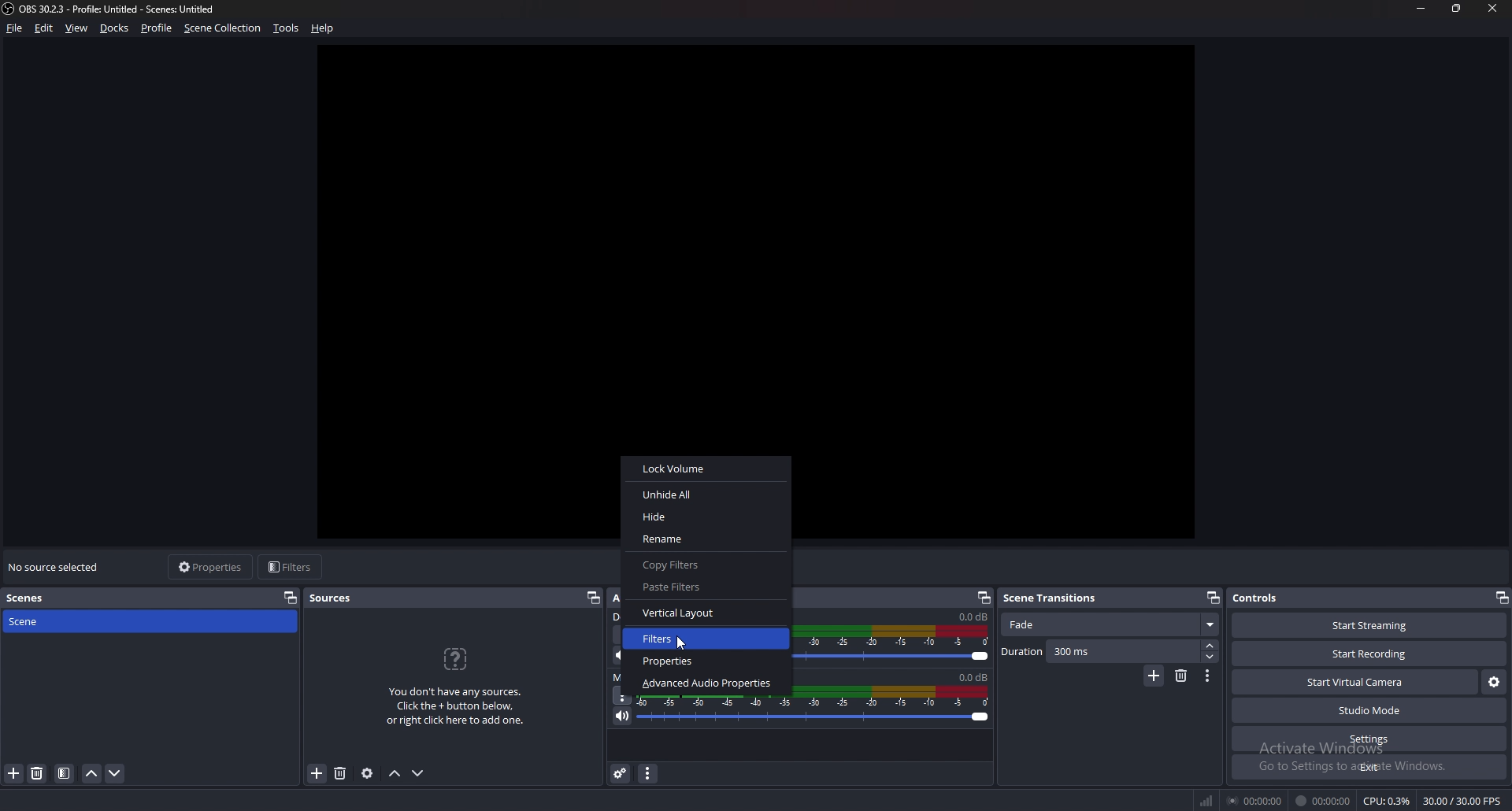 The width and height of the screenshot is (1512, 811). What do you see at coordinates (680, 642) in the screenshot?
I see `cursor` at bounding box center [680, 642].